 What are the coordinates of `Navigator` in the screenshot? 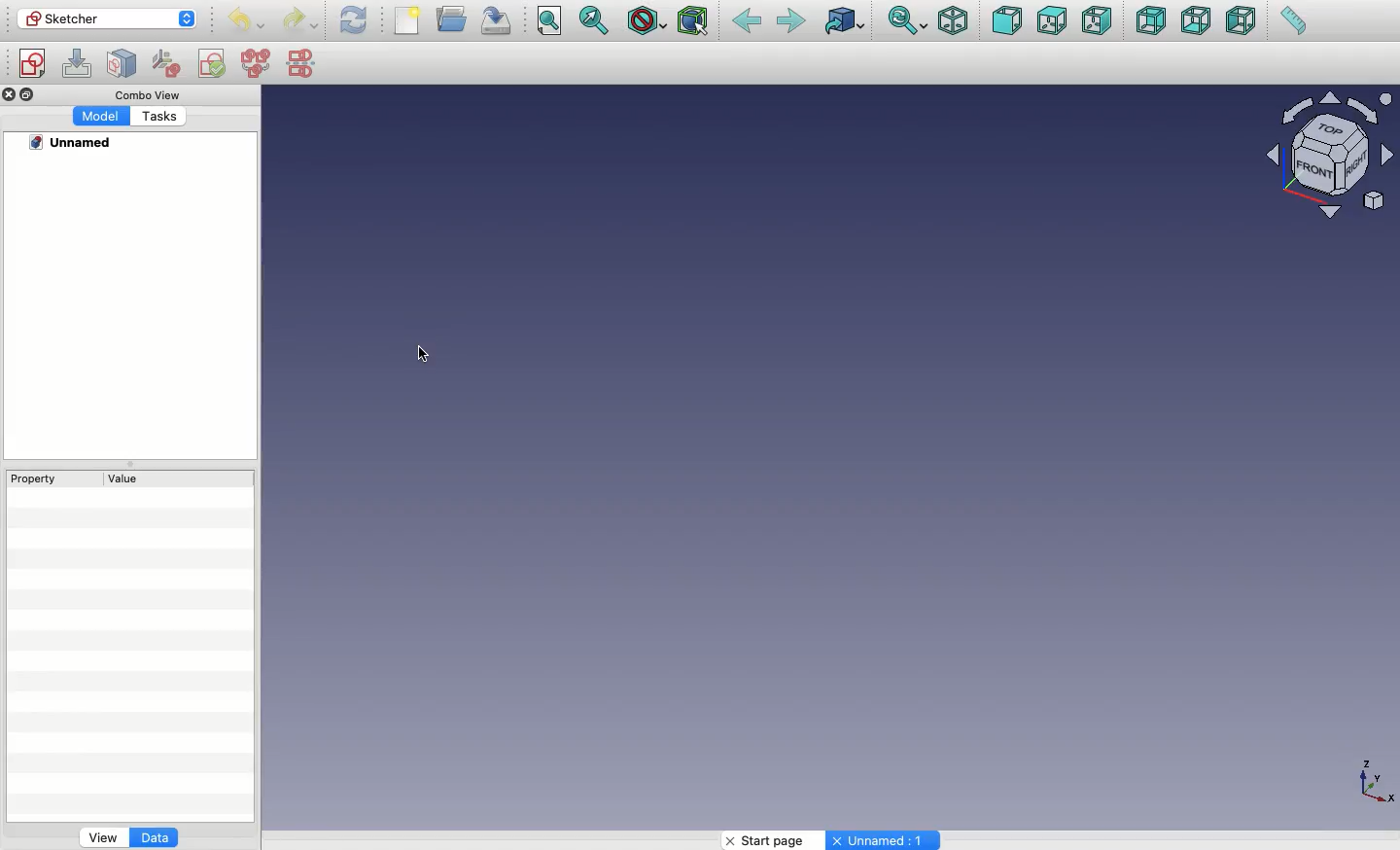 It's located at (1335, 159).